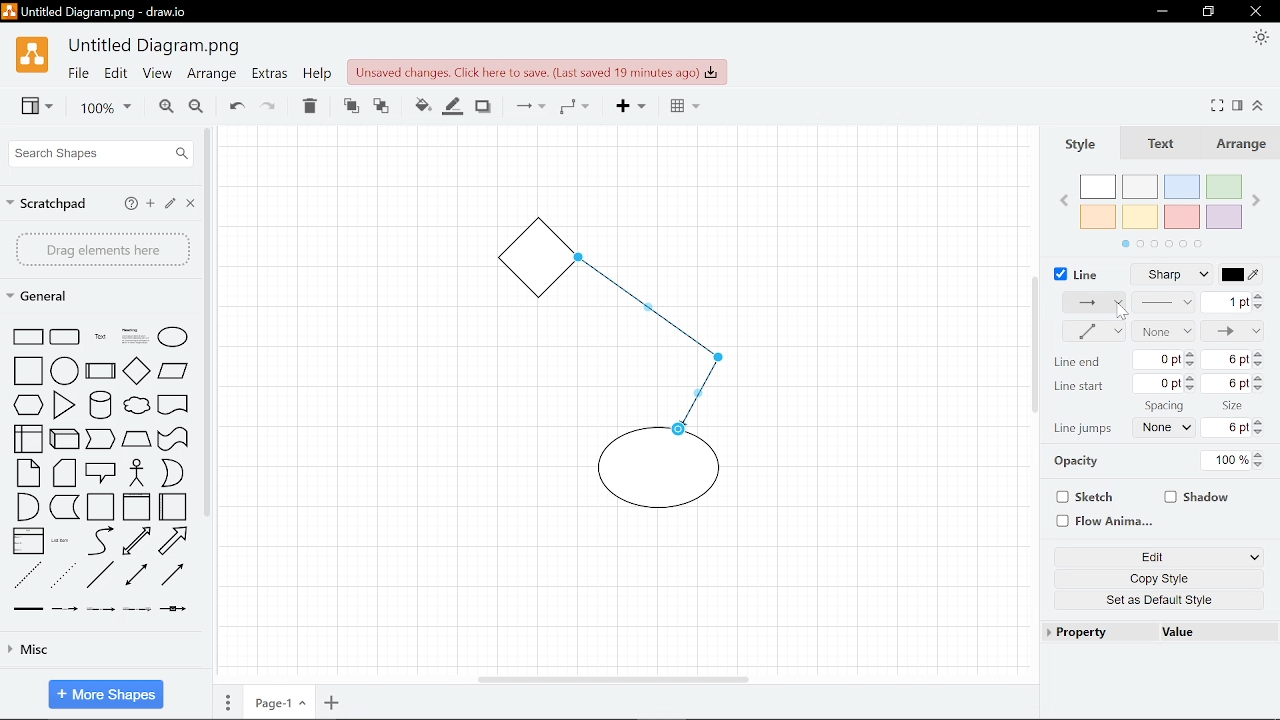 The width and height of the screenshot is (1280, 720). I want to click on To front, so click(350, 105).